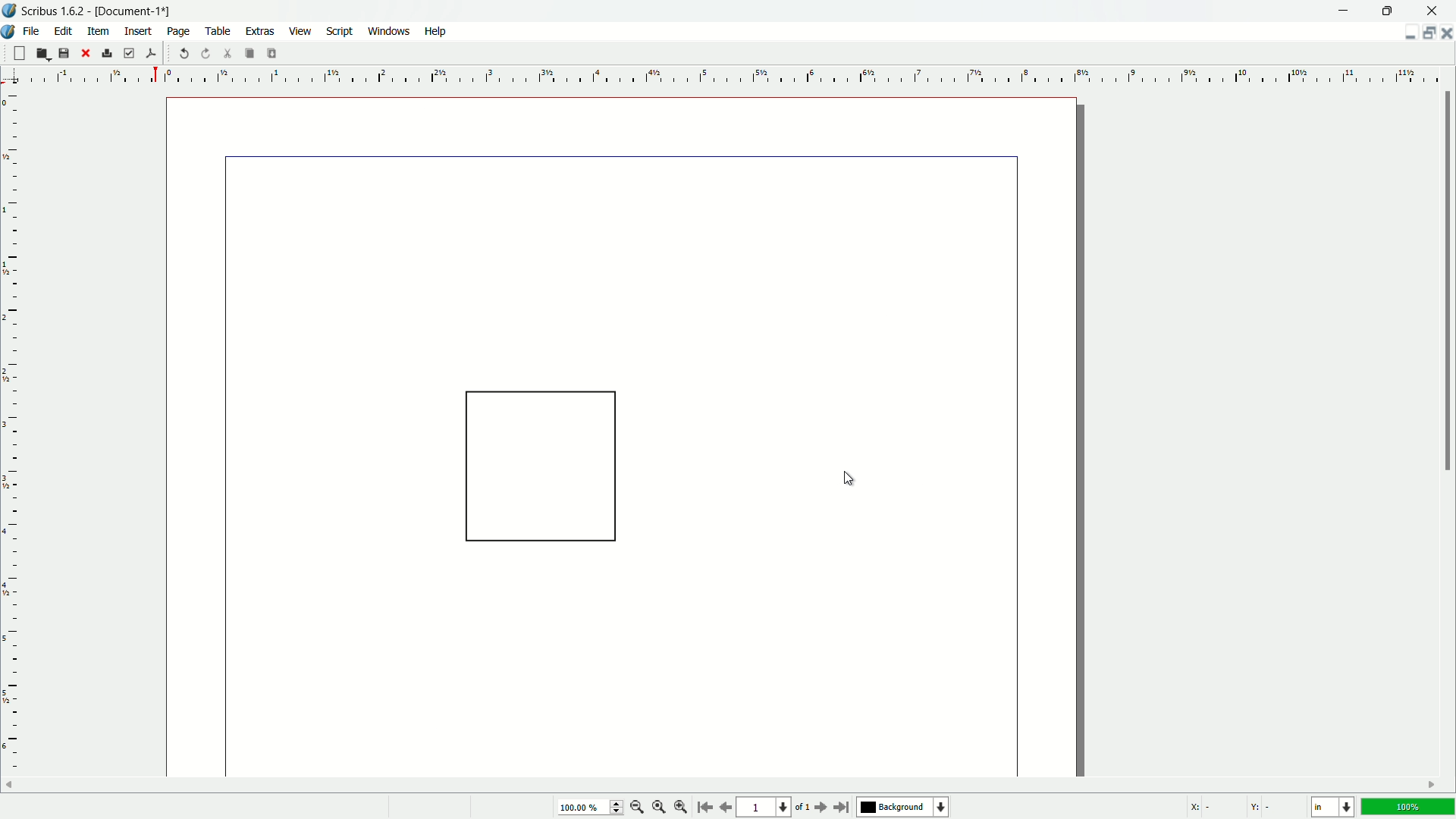 This screenshot has width=1456, height=819. Describe the element at coordinates (849, 479) in the screenshot. I see `cursor` at that location.